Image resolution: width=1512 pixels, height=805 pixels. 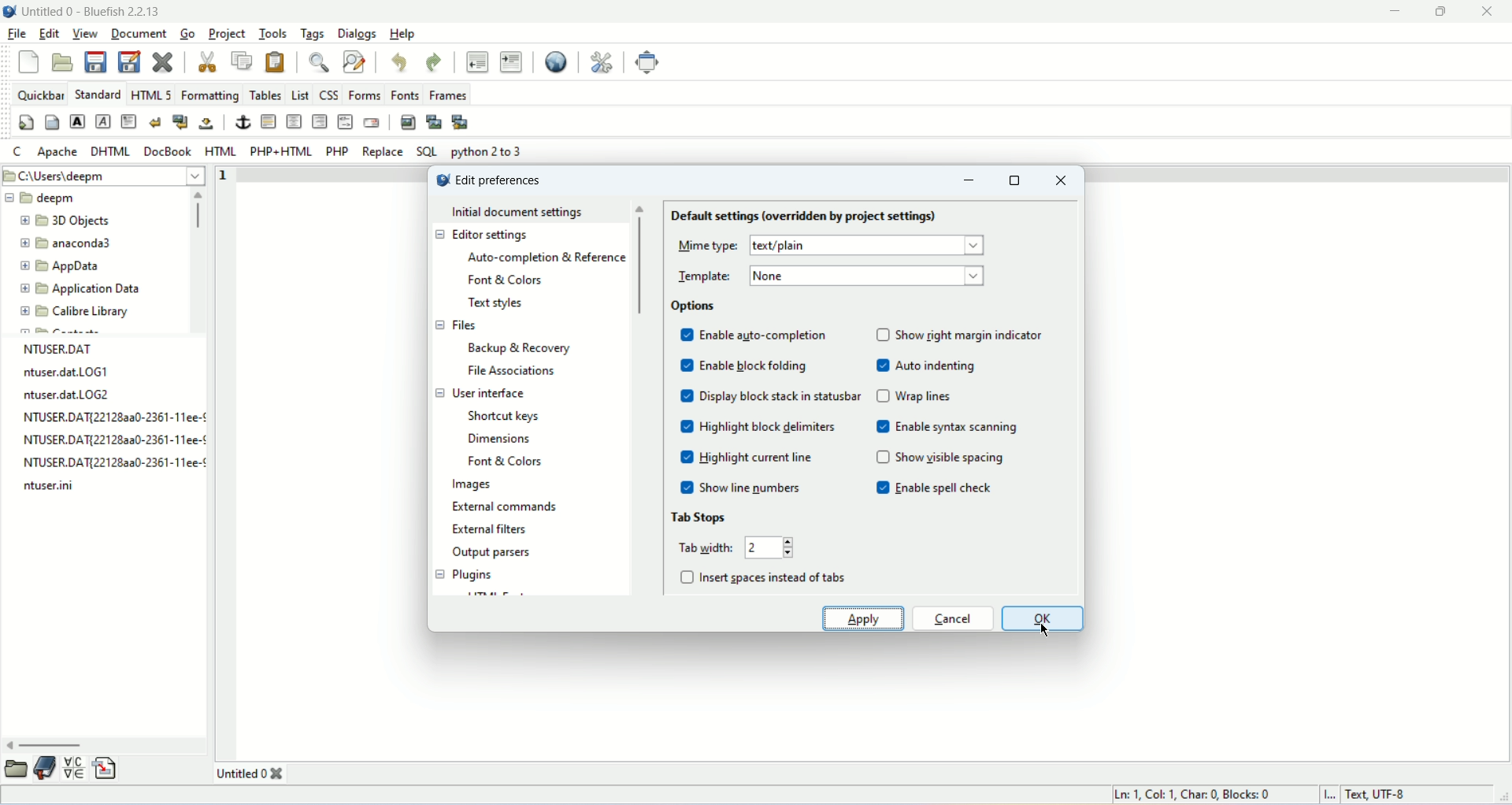 I want to click on NTUSER.DAT{22128aa0-2361-11ee-¢, so click(x=109, y=418).